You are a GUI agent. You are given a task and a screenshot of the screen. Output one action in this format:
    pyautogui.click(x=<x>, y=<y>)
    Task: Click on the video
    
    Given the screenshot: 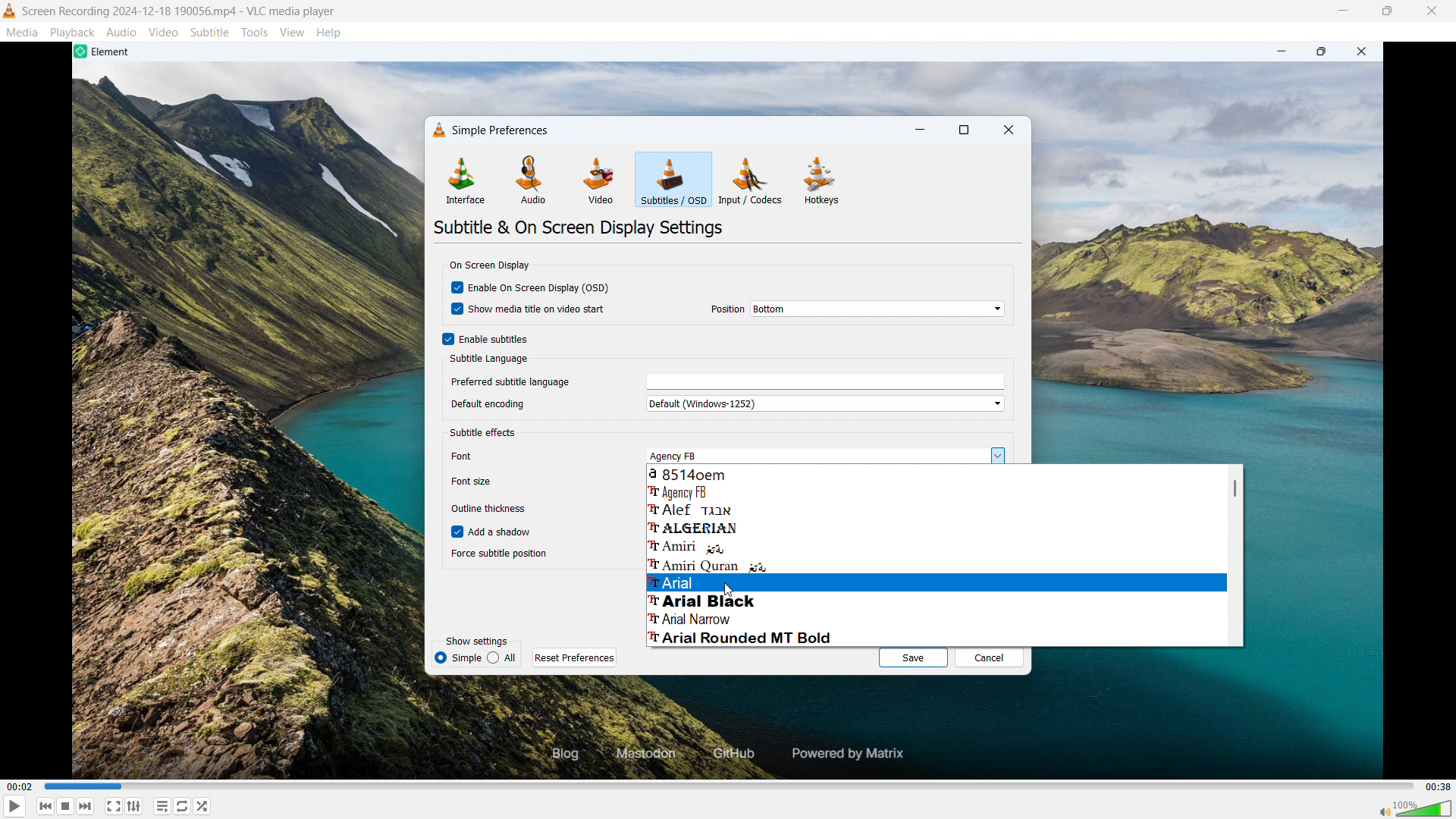 What is the action you would take?
    pyautogui.click(x=598, y=182)
    